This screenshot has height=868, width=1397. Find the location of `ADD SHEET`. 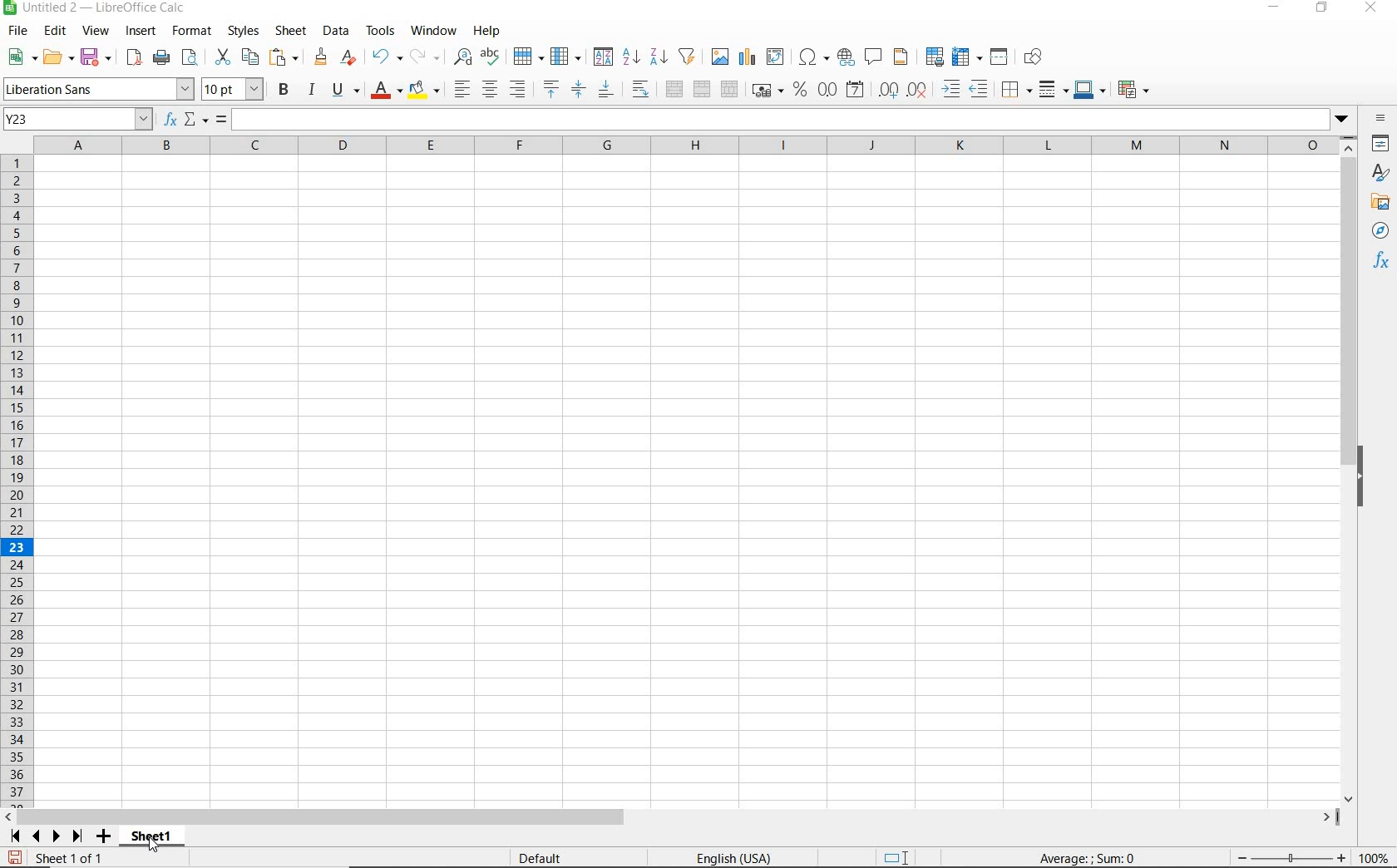

ADD SHEET is located at coordinates (106, 837).